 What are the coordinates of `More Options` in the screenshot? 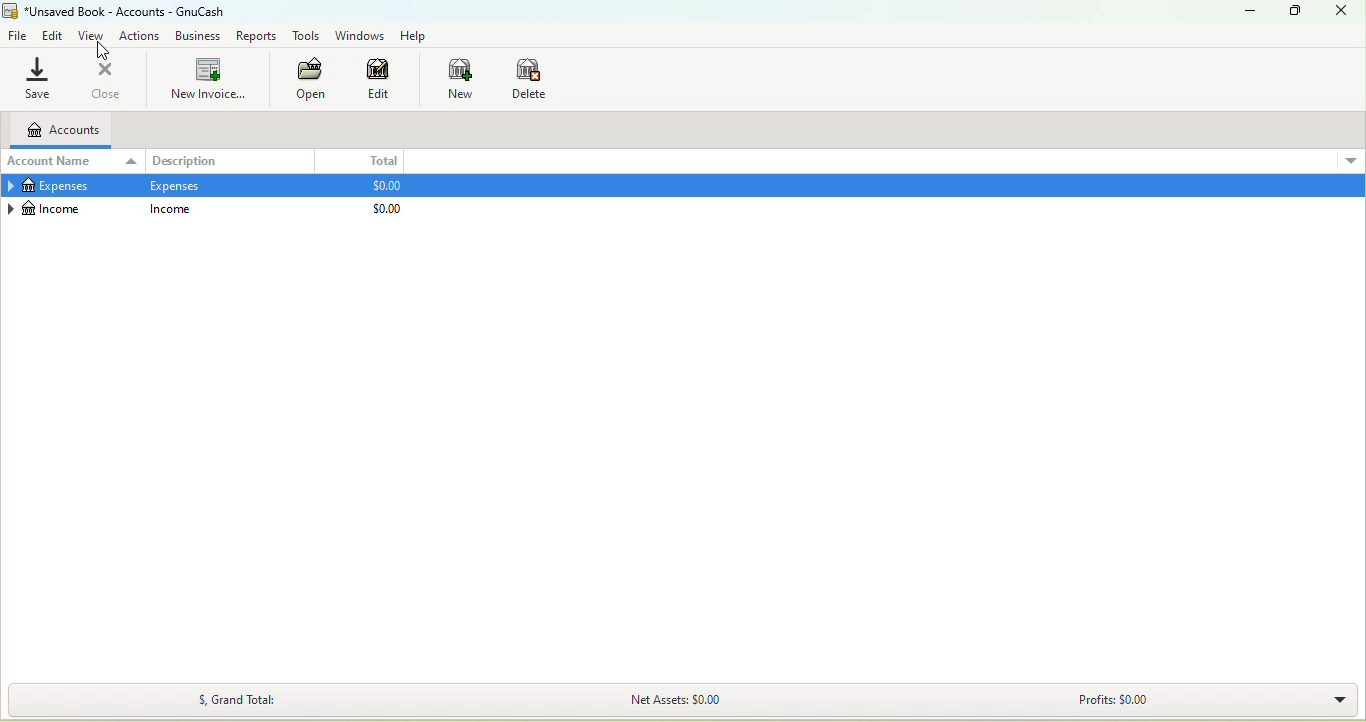 It's located at (1351, 159).